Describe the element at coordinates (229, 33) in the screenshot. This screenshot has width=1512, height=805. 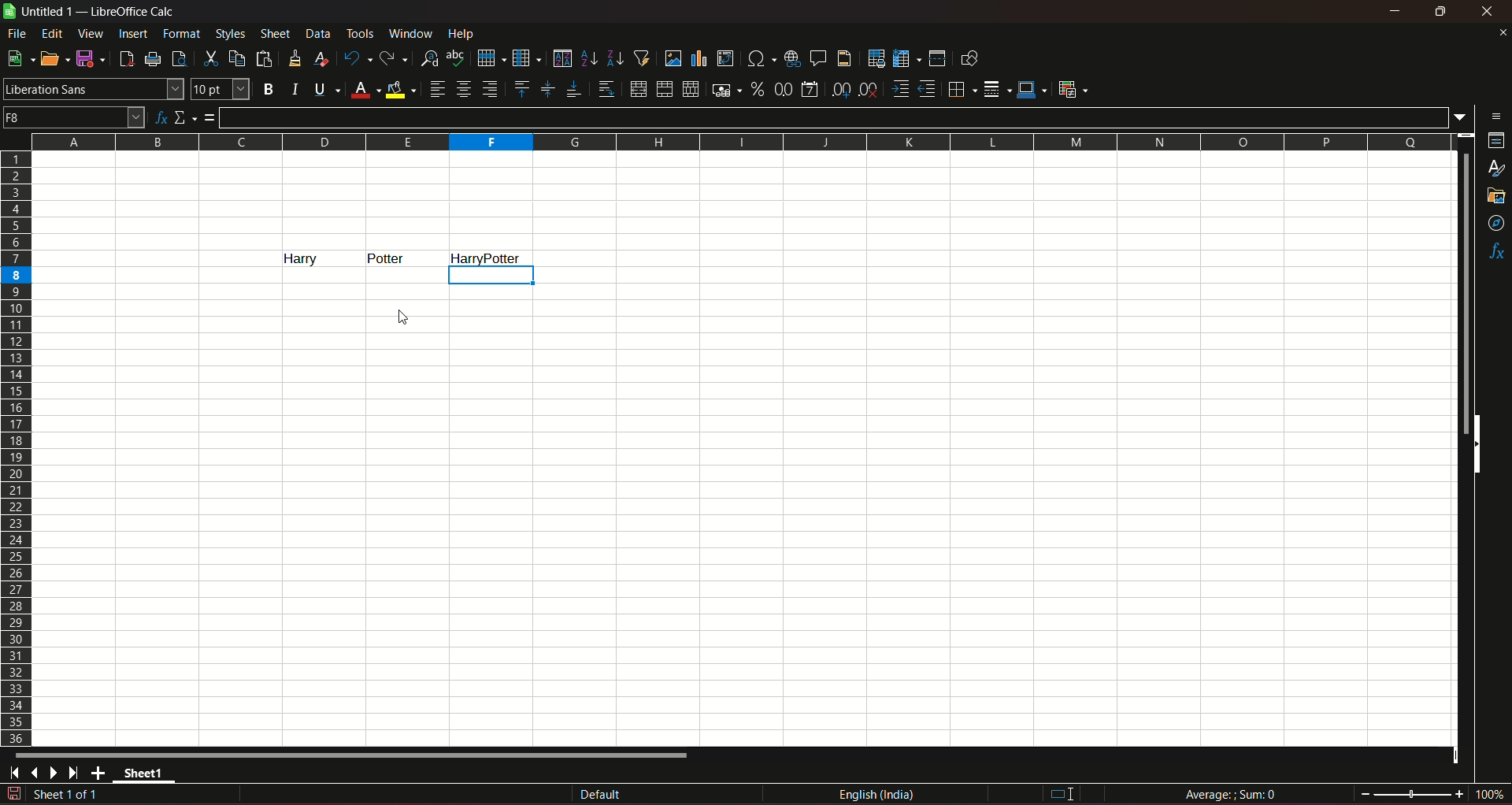
I see `styles` at that location.